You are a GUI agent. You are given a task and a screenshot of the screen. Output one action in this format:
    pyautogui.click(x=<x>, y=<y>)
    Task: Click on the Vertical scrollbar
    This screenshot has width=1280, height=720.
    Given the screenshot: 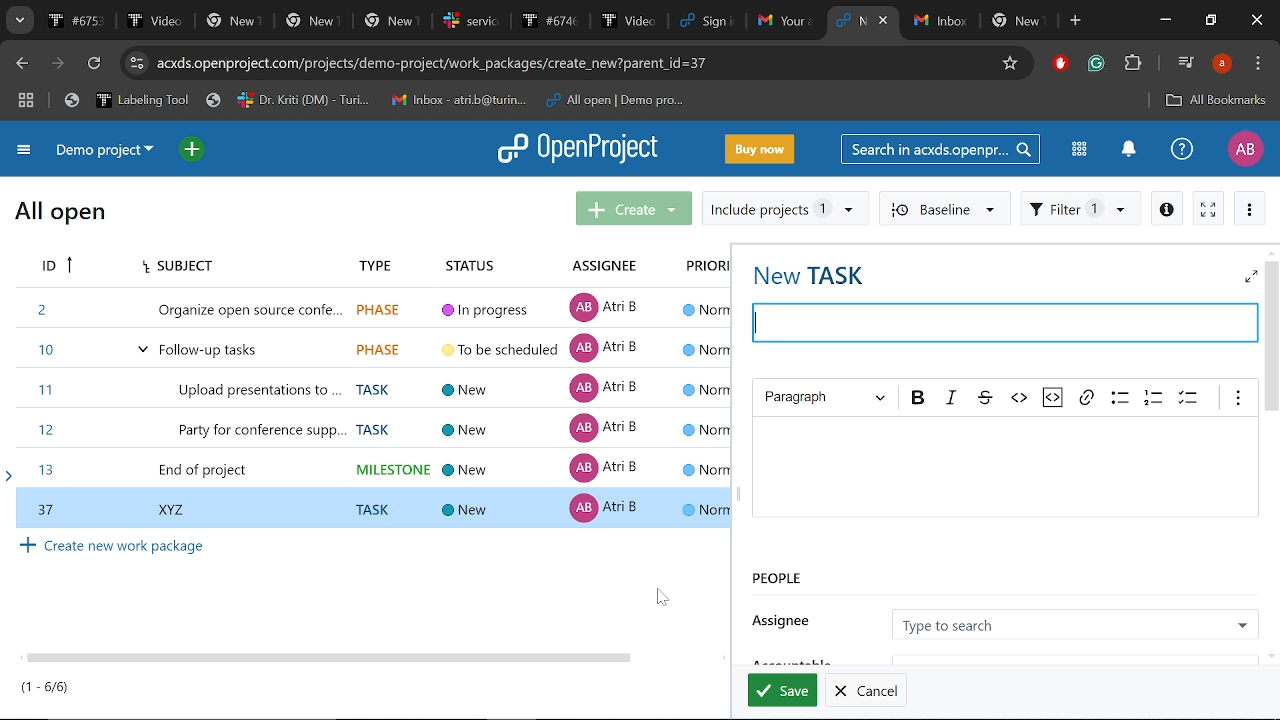 What is the action you would take?
    pyautogui.click(x=1272, y=337)
    